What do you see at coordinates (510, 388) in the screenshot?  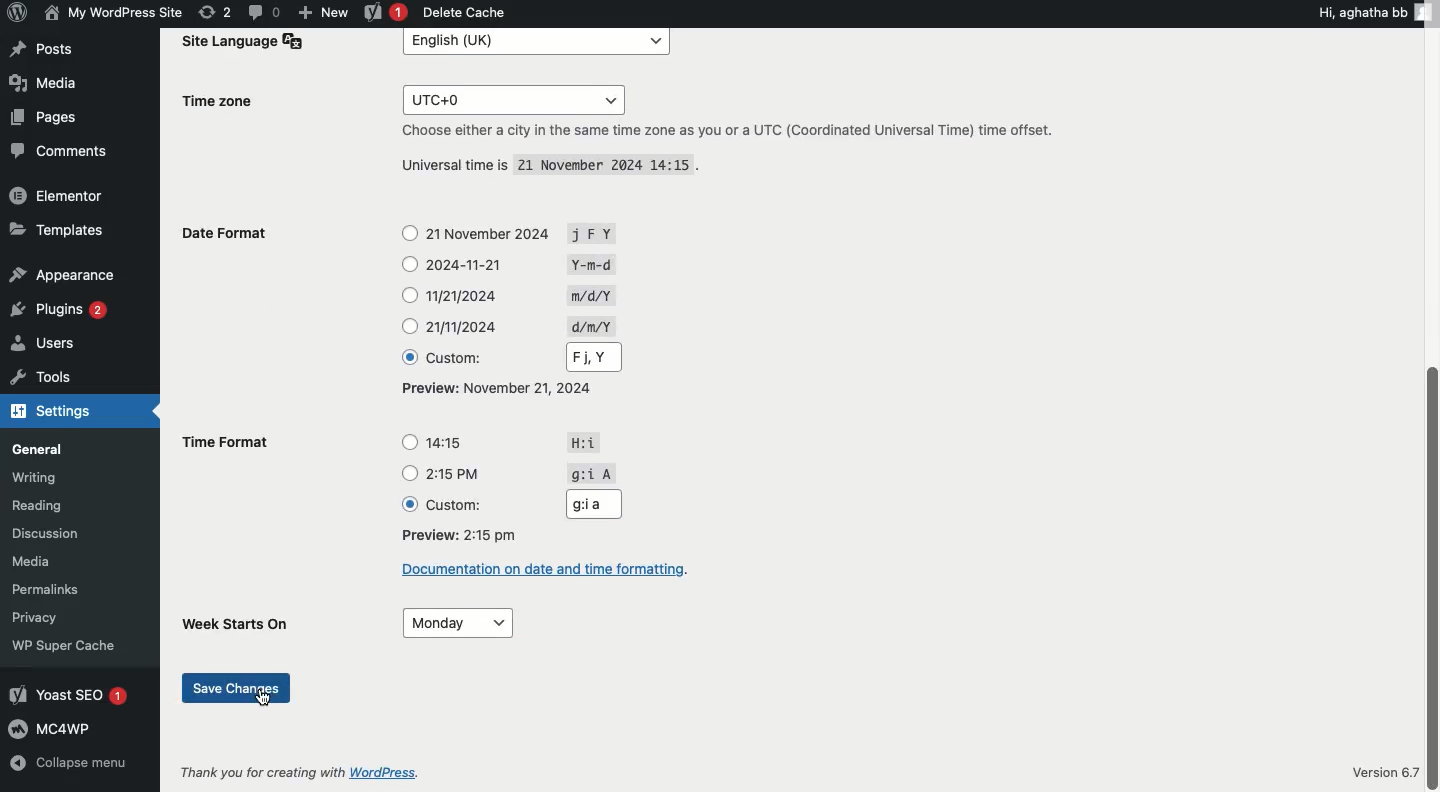 I see `Preview: November 21, 2024` at bounding box center [510, 388].